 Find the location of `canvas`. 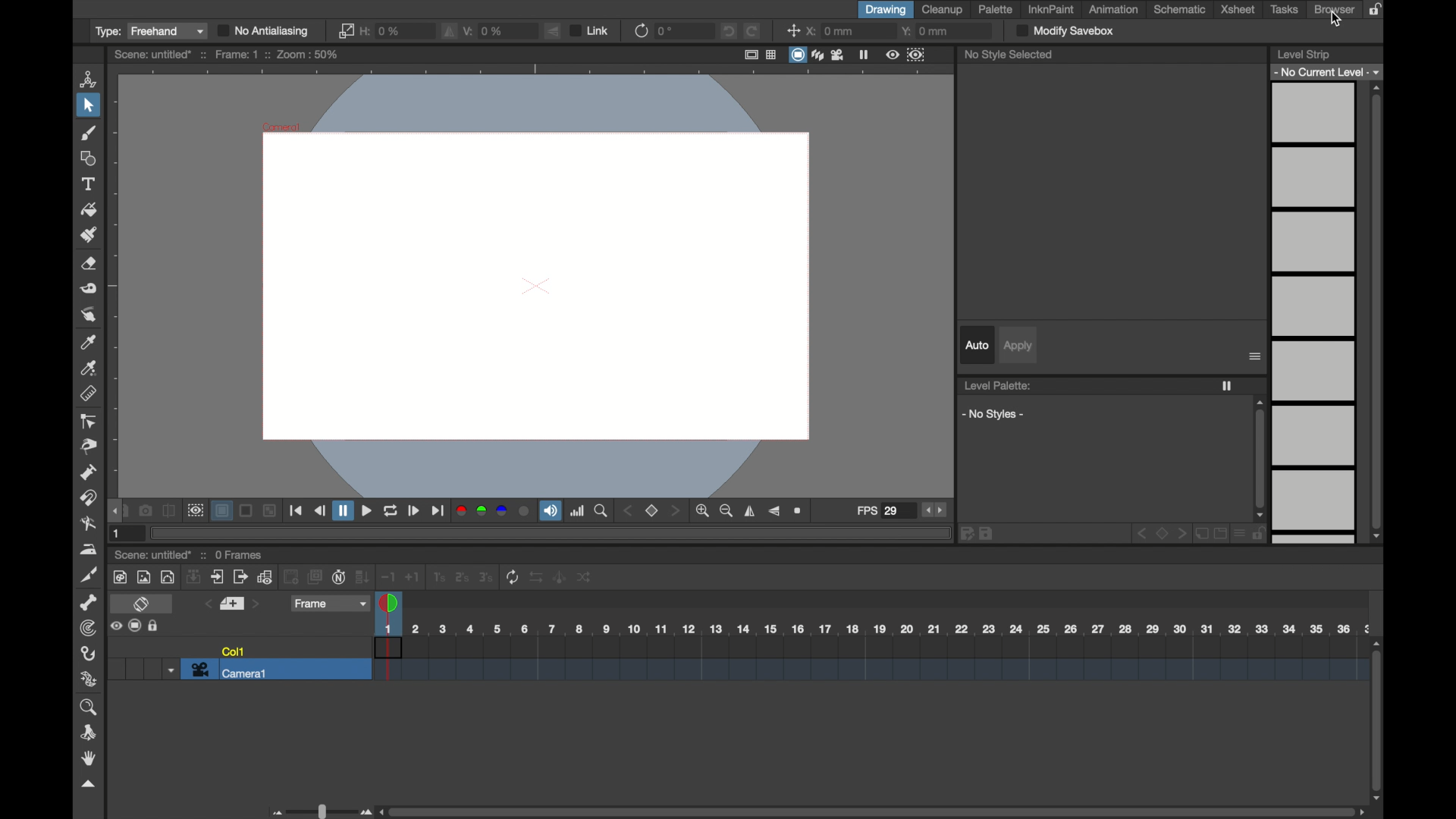

canvas is located at coordinates (531, 283).